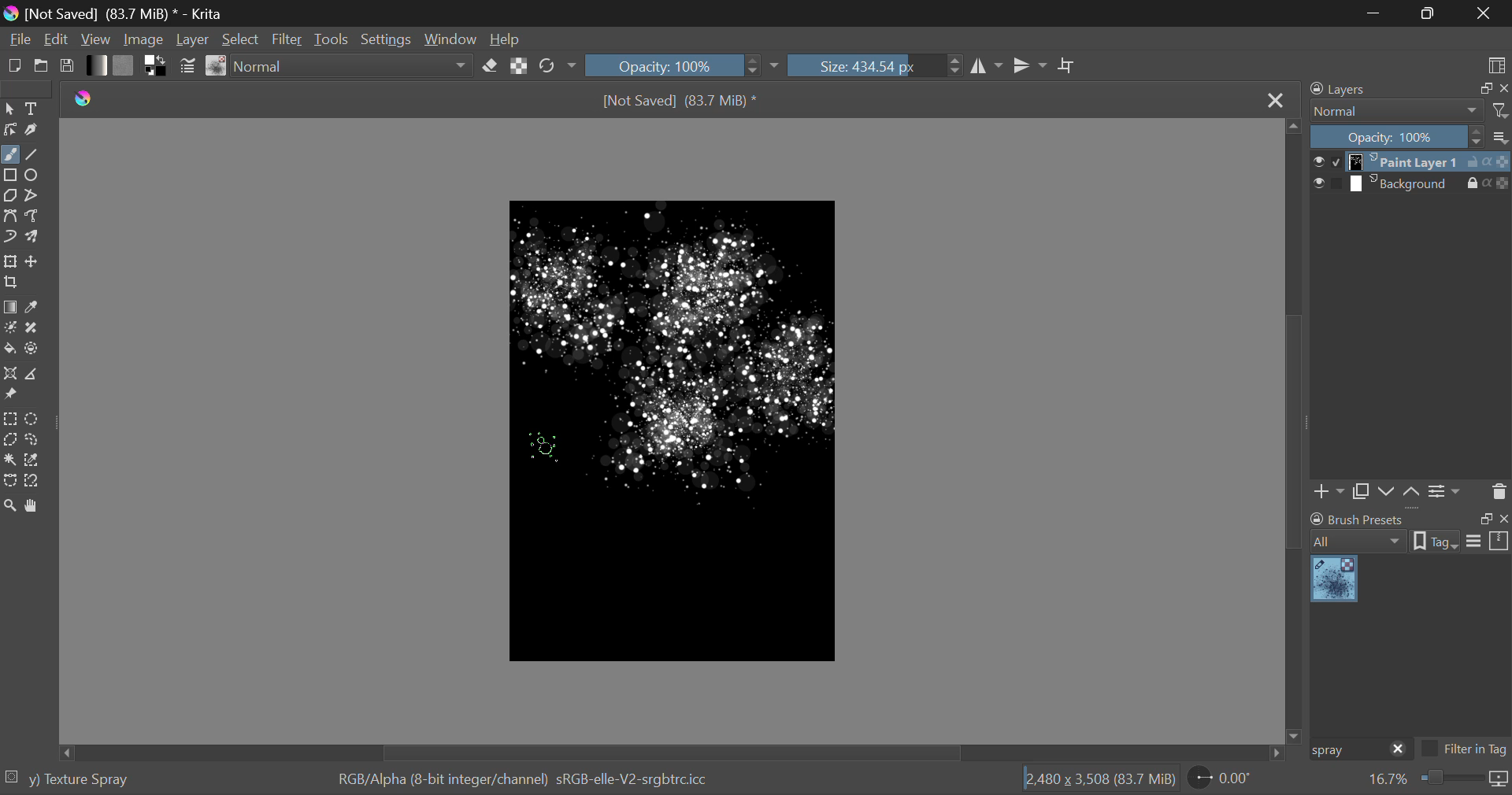  What do you see at coordinates (13, 776) in the screenshot?
I see `selection` at bounding box center [13, 776].